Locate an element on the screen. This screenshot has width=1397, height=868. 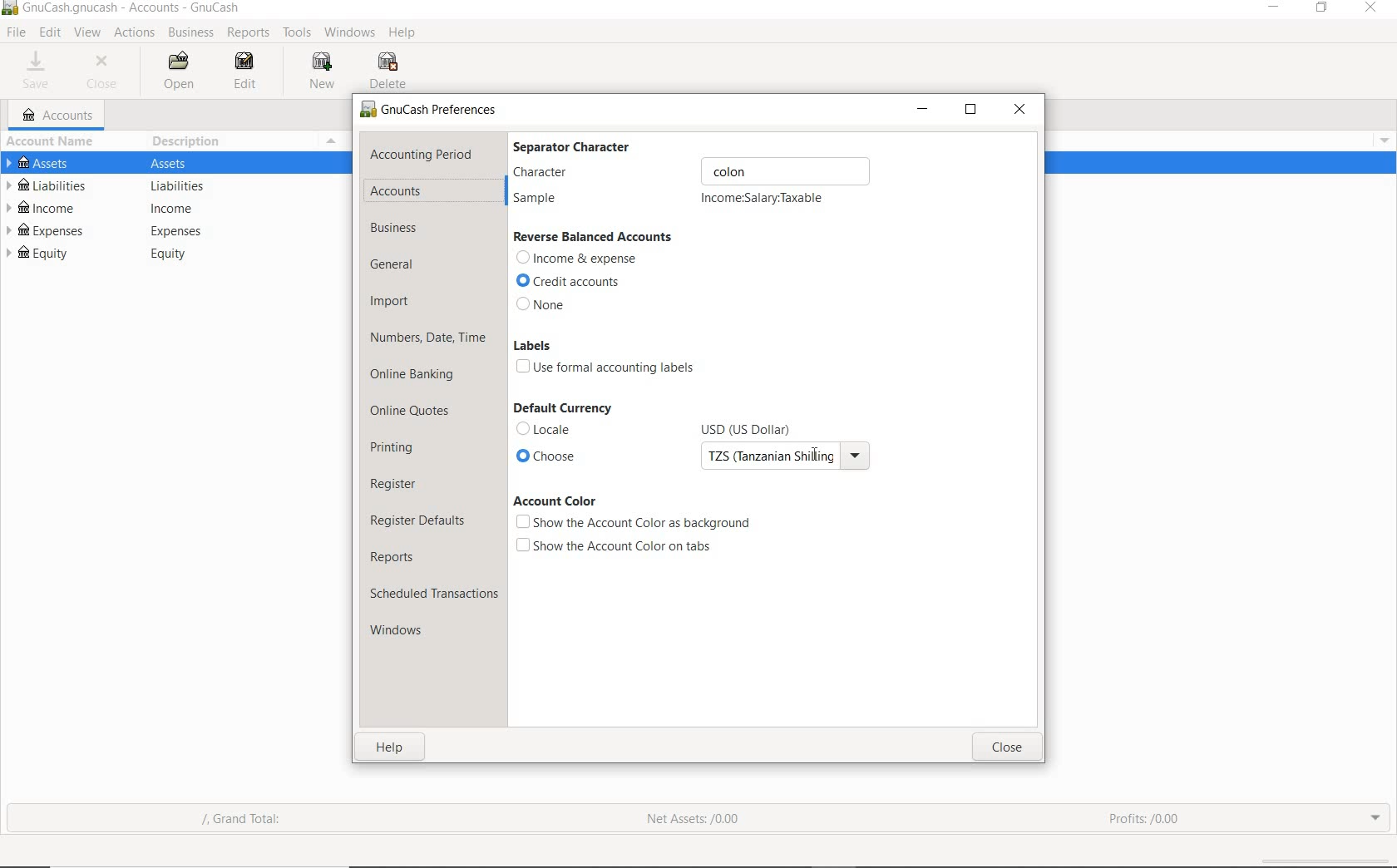
online quotes is located at coordinates (416, 412).